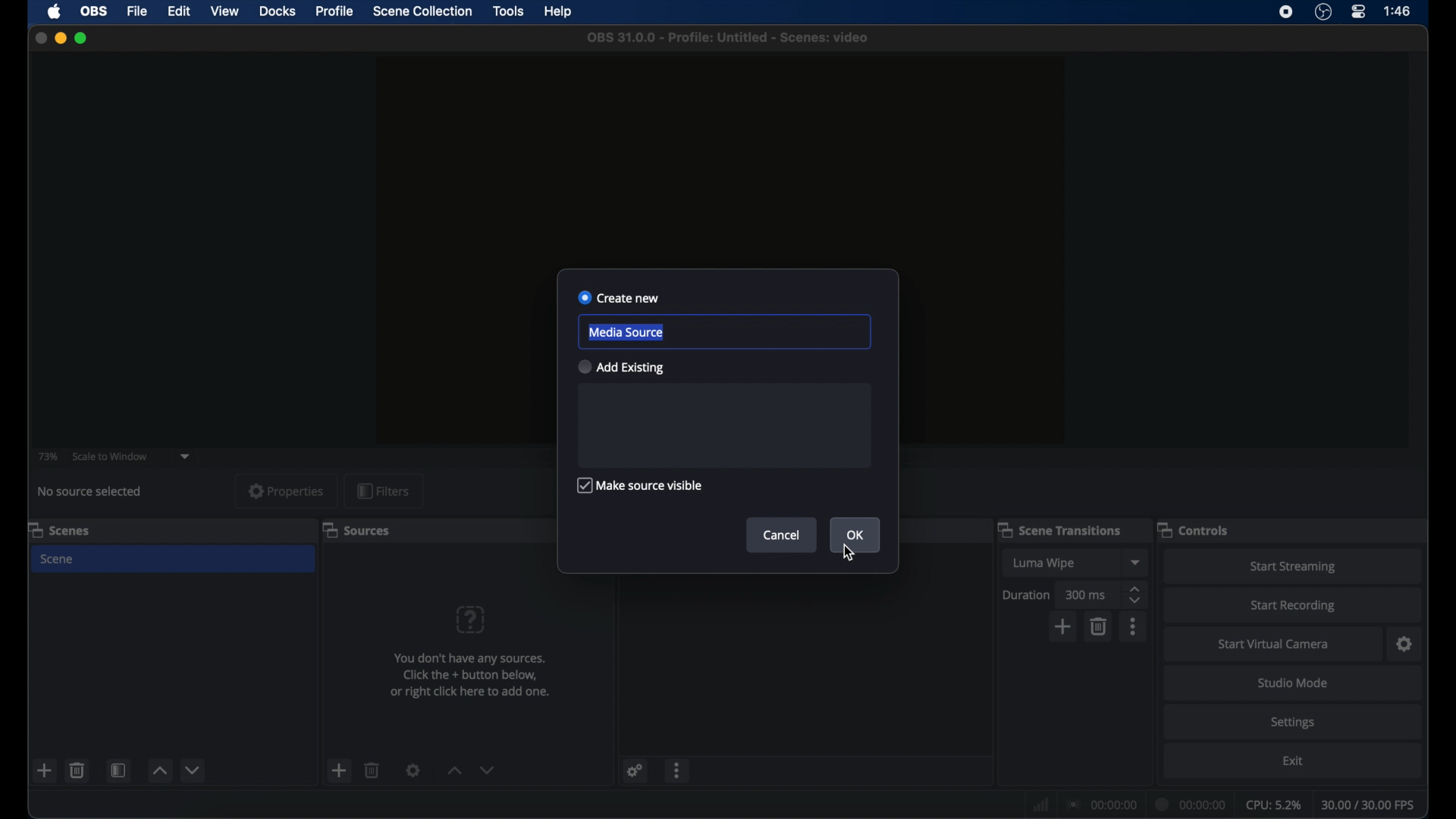  I want to click on start virtual camera, so click(1277, 645).